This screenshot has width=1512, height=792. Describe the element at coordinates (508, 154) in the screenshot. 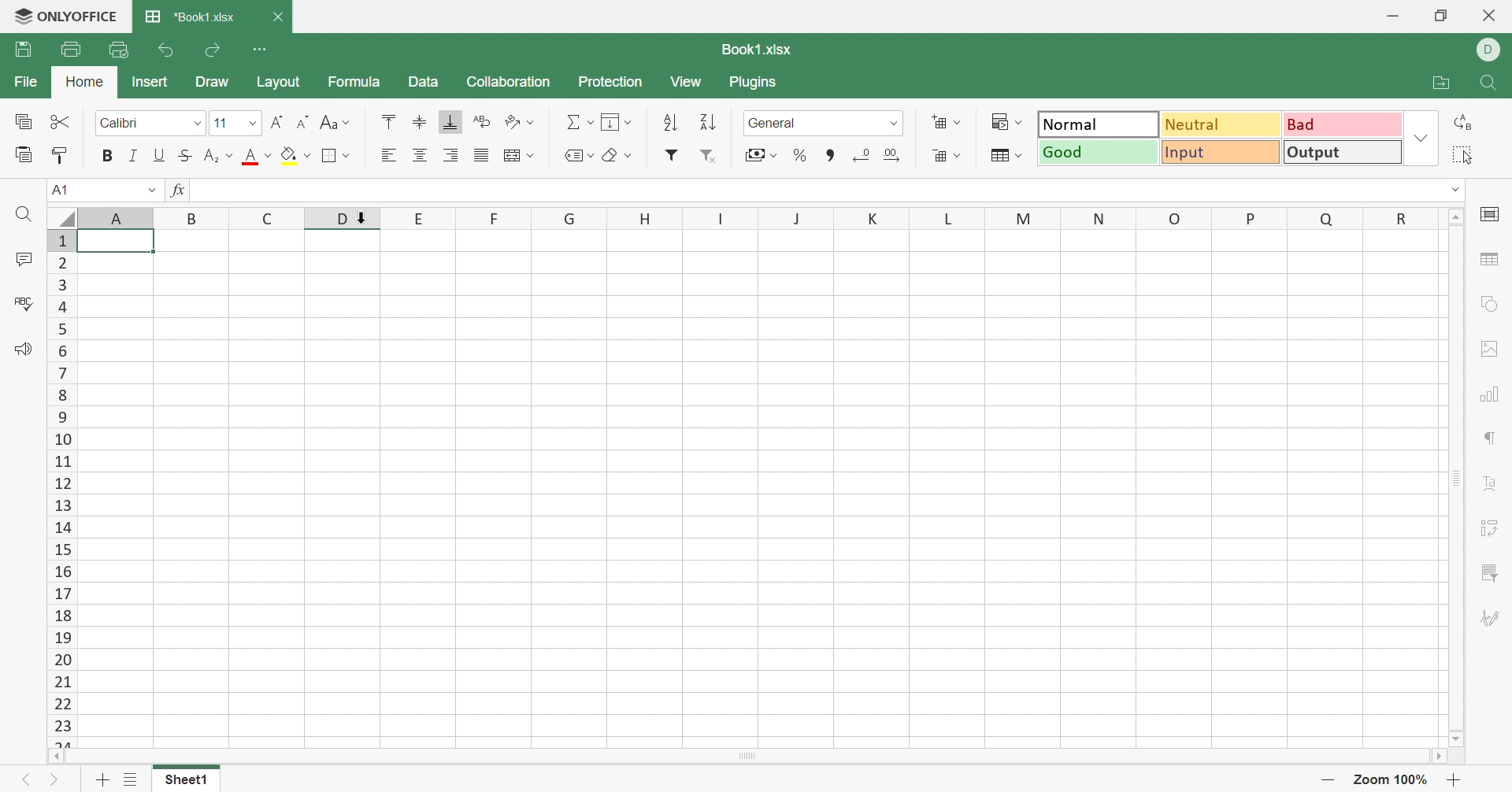

I see `Merge and center` at that location.